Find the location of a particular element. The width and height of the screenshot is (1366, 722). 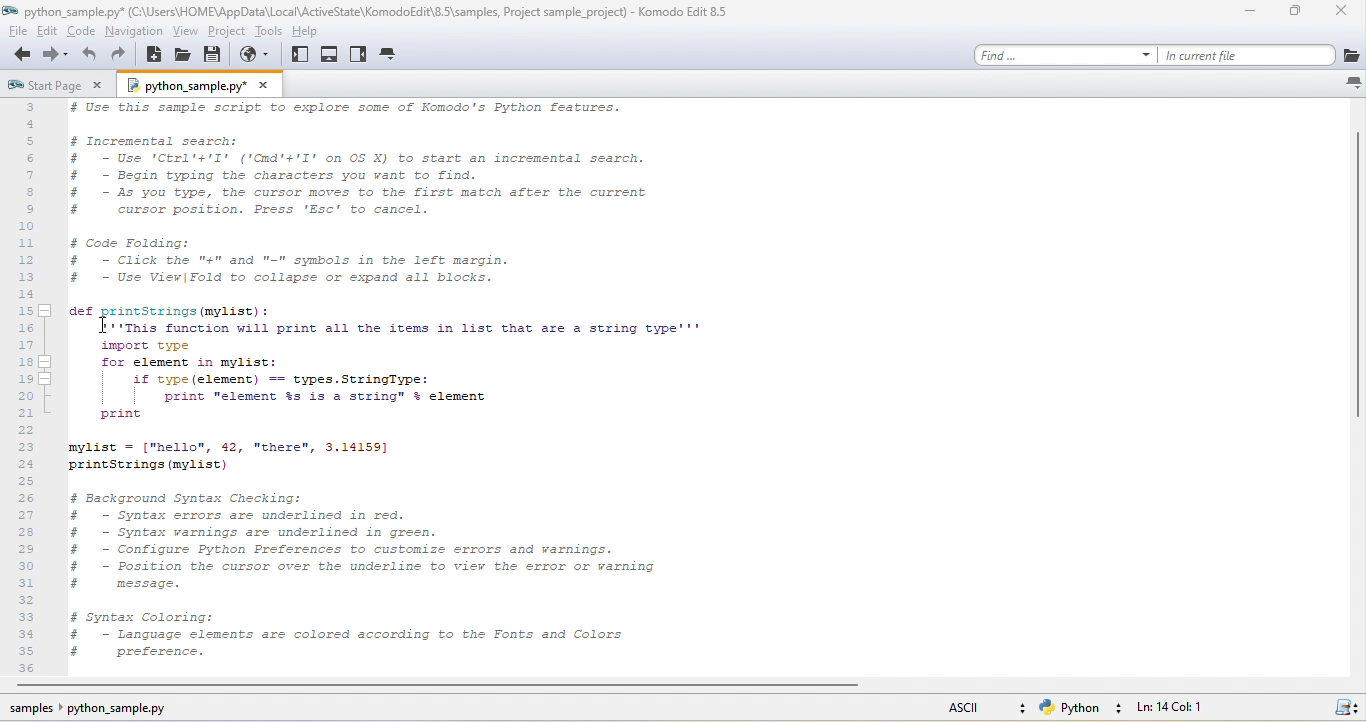

title is located at coordinates (378, 11).